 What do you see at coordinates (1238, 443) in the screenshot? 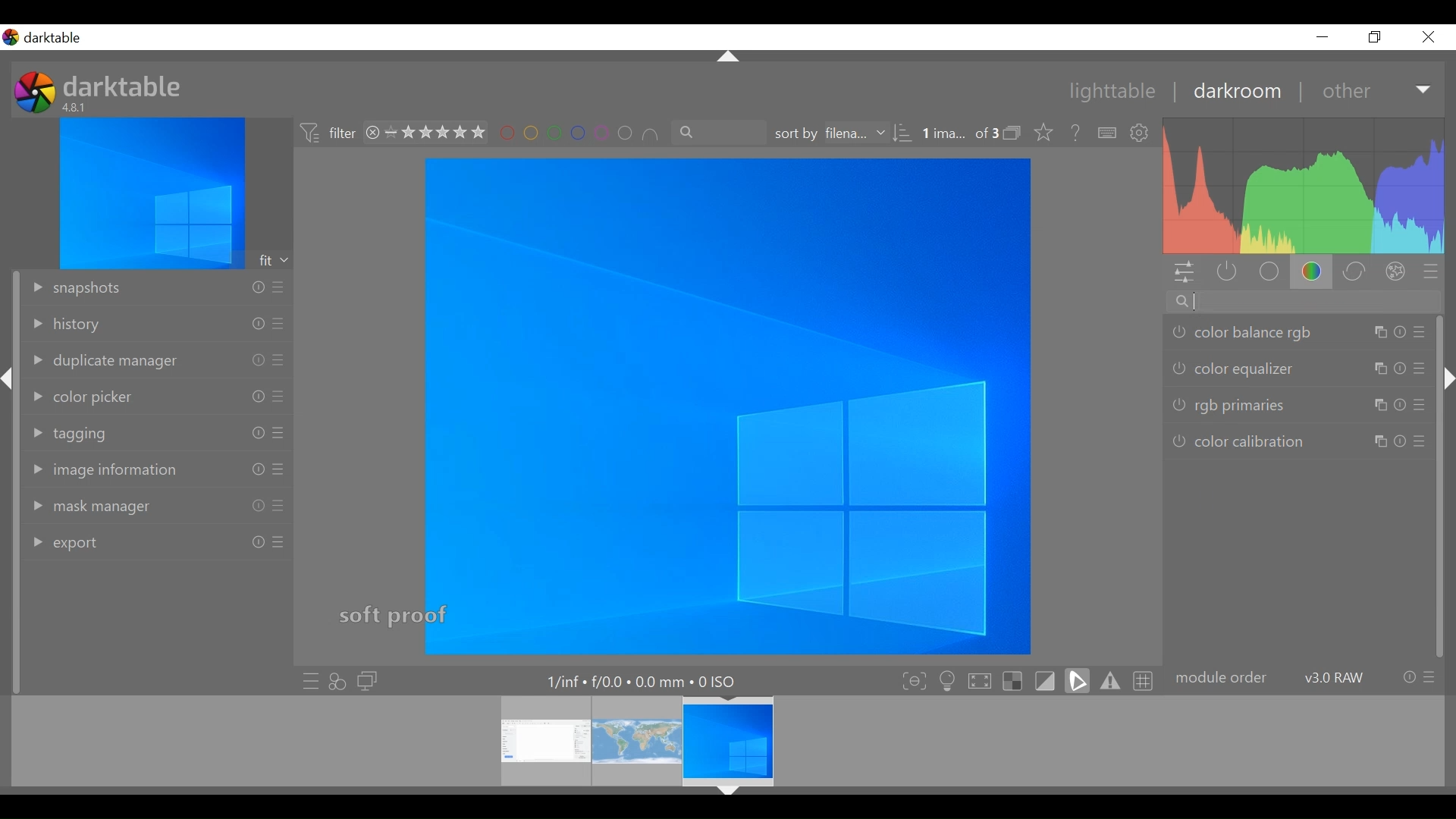
I see `color calibrations` at bounding box center [1238, 443].